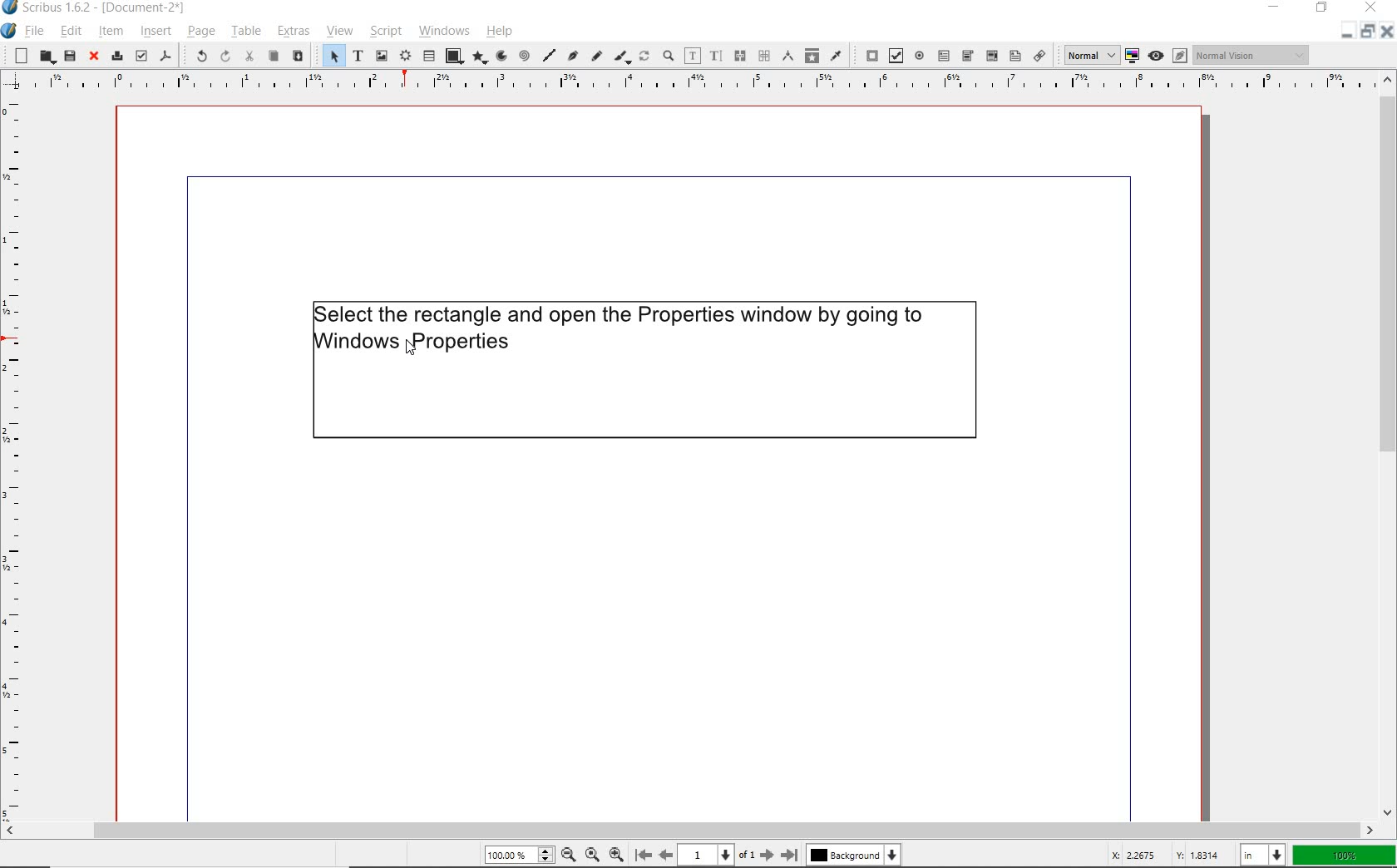 This screenshot has height=868, width=1397. Describe the element at coordinates (480, 57) in the screenshot. I see `polygon` at that location.